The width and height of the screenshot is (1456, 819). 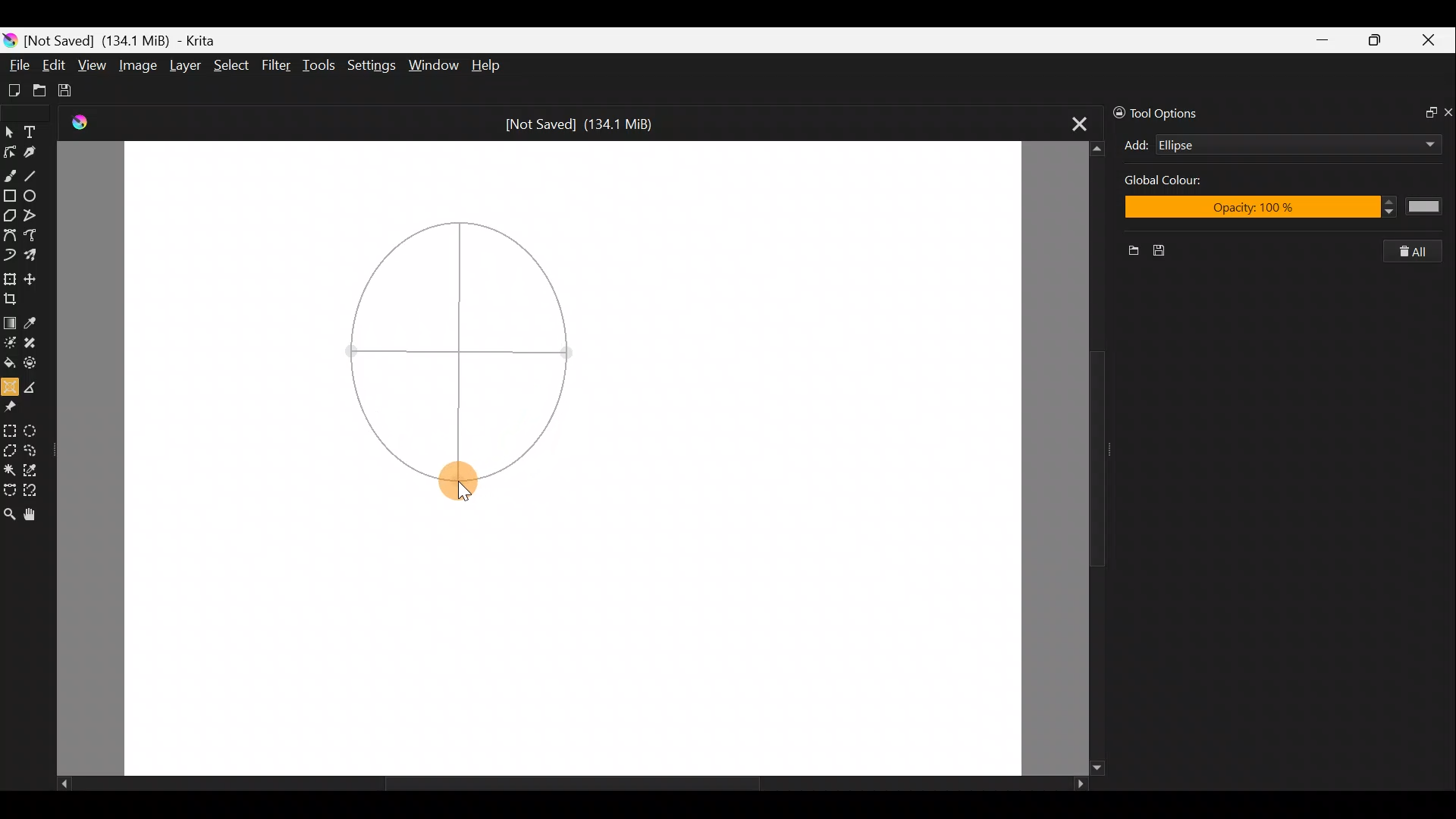 I want to click on Colorize mask tool, so click(x=10, y=343).